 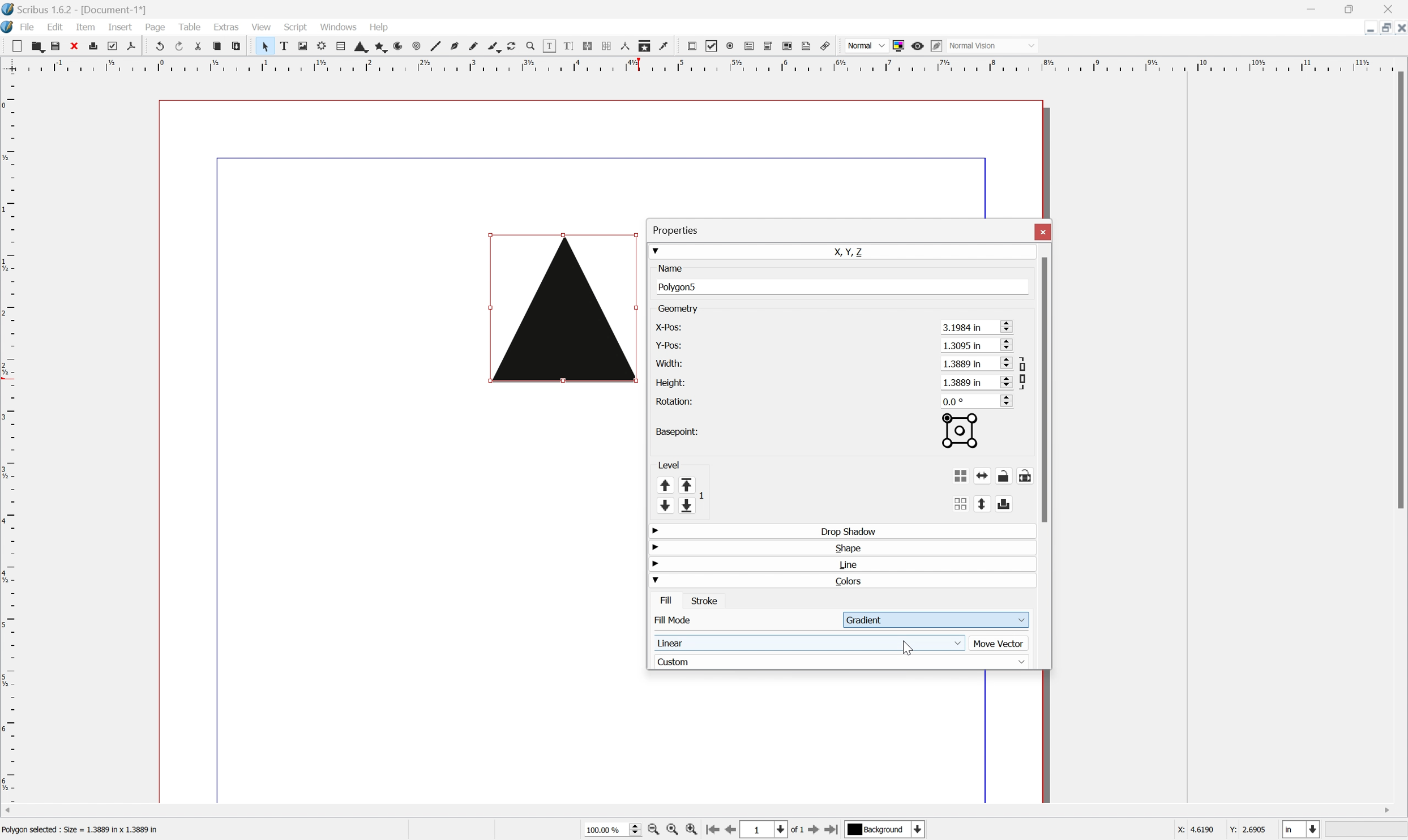 I want to click on Minimize, so click(x=1313, y=7).